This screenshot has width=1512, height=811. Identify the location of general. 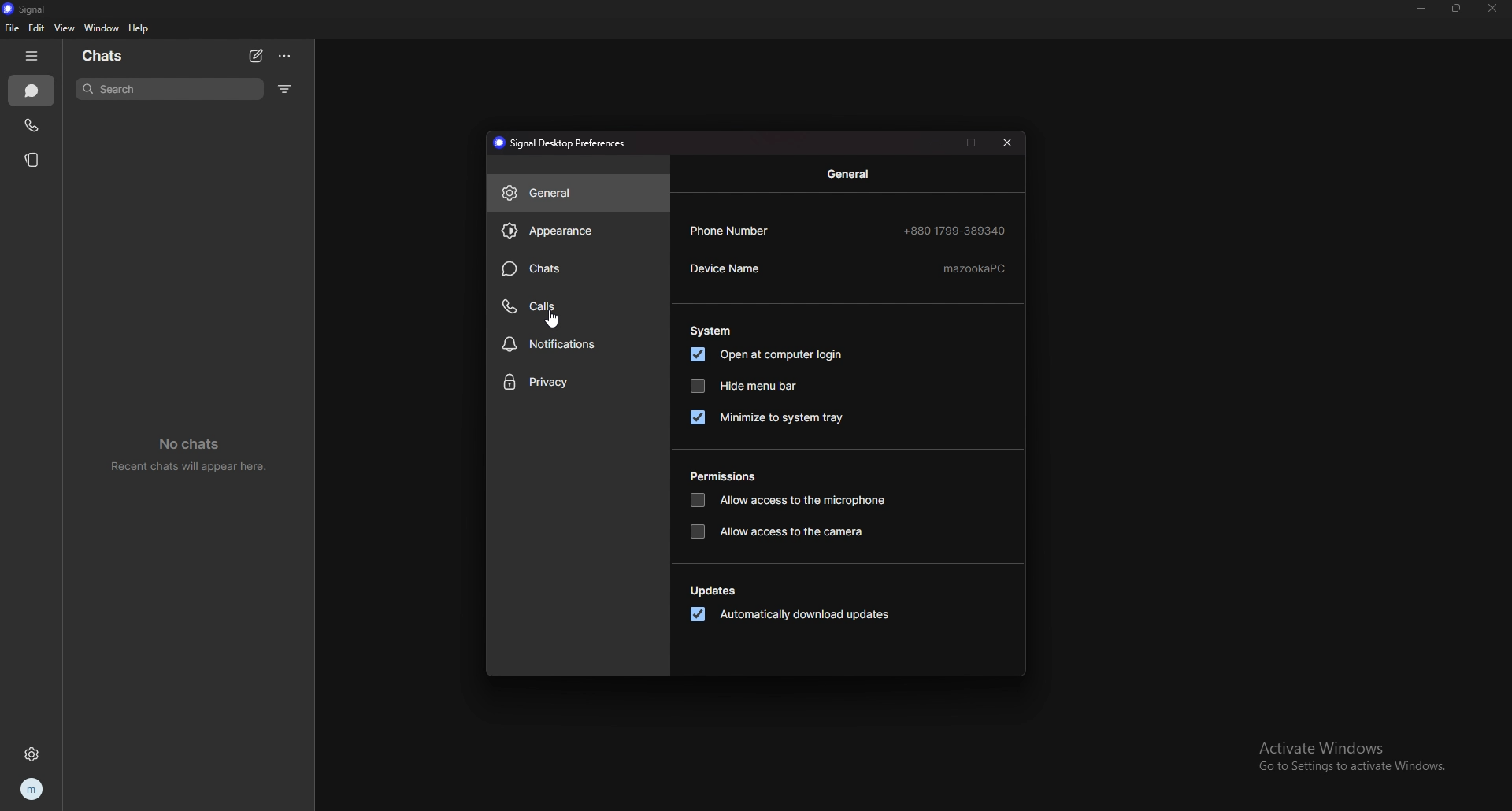
(579, 194).